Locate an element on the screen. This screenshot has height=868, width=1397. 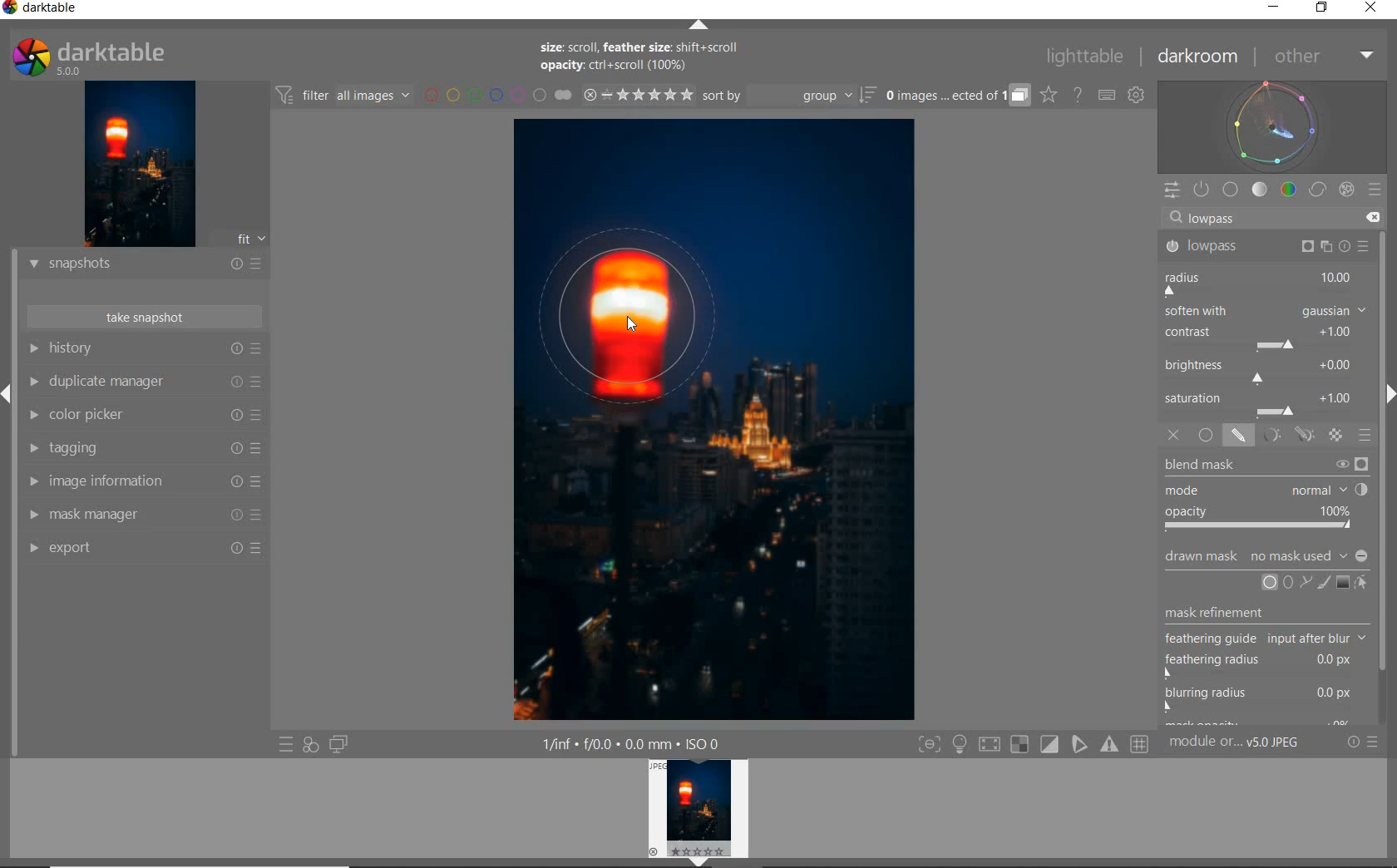
TOGGLE MODES is located at coordinates (1034, 744).